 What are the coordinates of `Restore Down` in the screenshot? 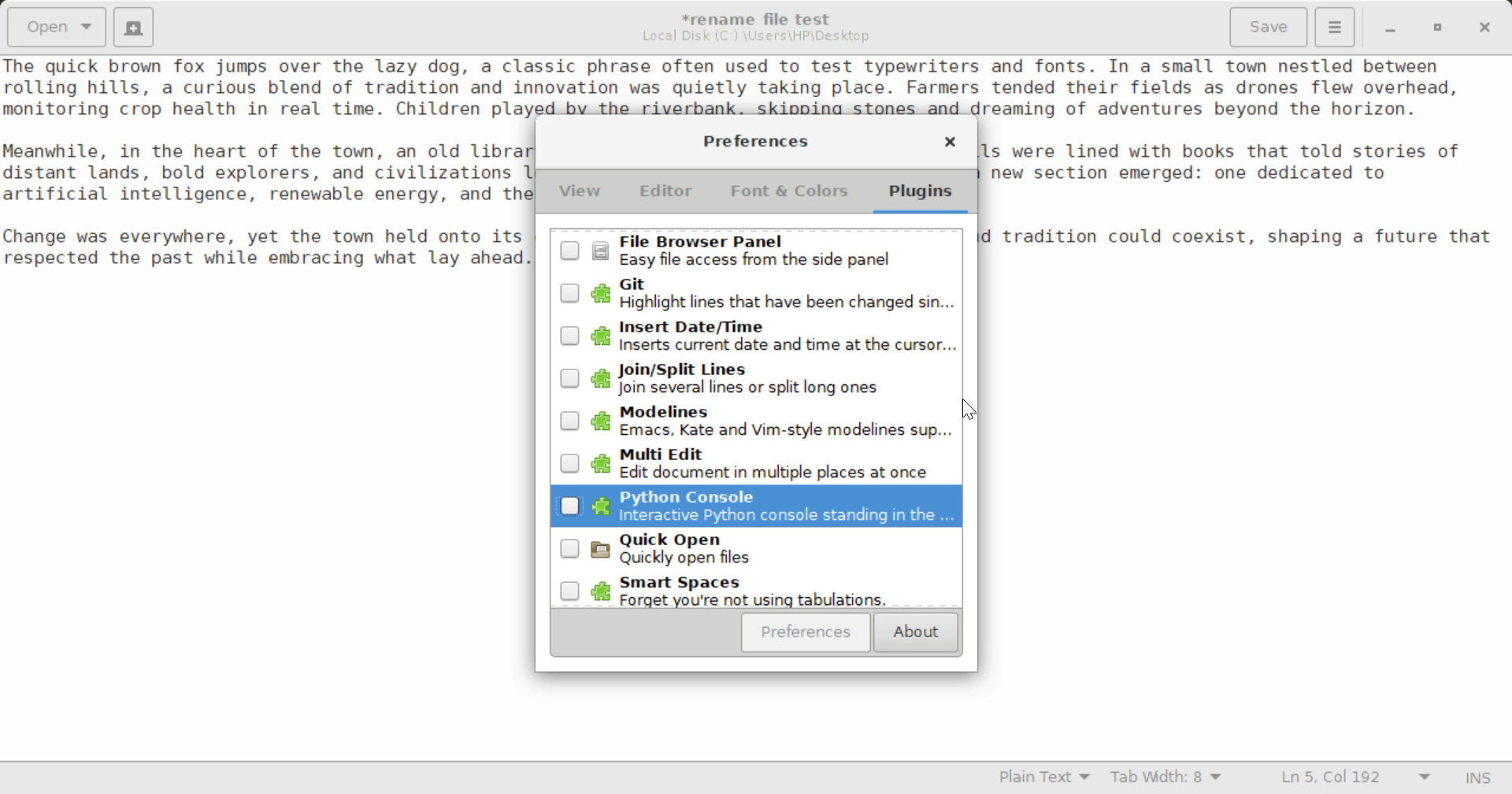 It's located at (1388, 28).